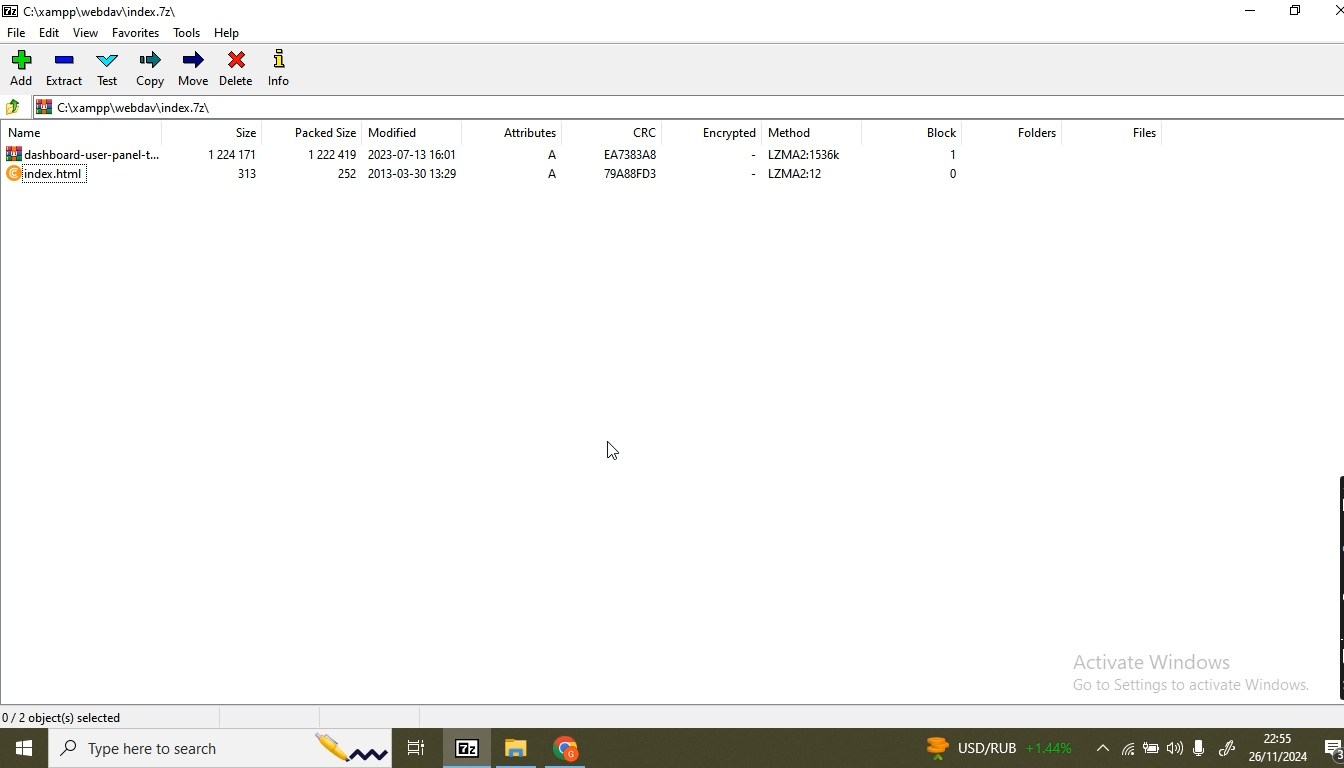 This screenshot has width=1344, height=768. Describe the element at coordinates (100, 9) in the screenshot. I see `C:\xampp\webdawindex.72\` at that location.